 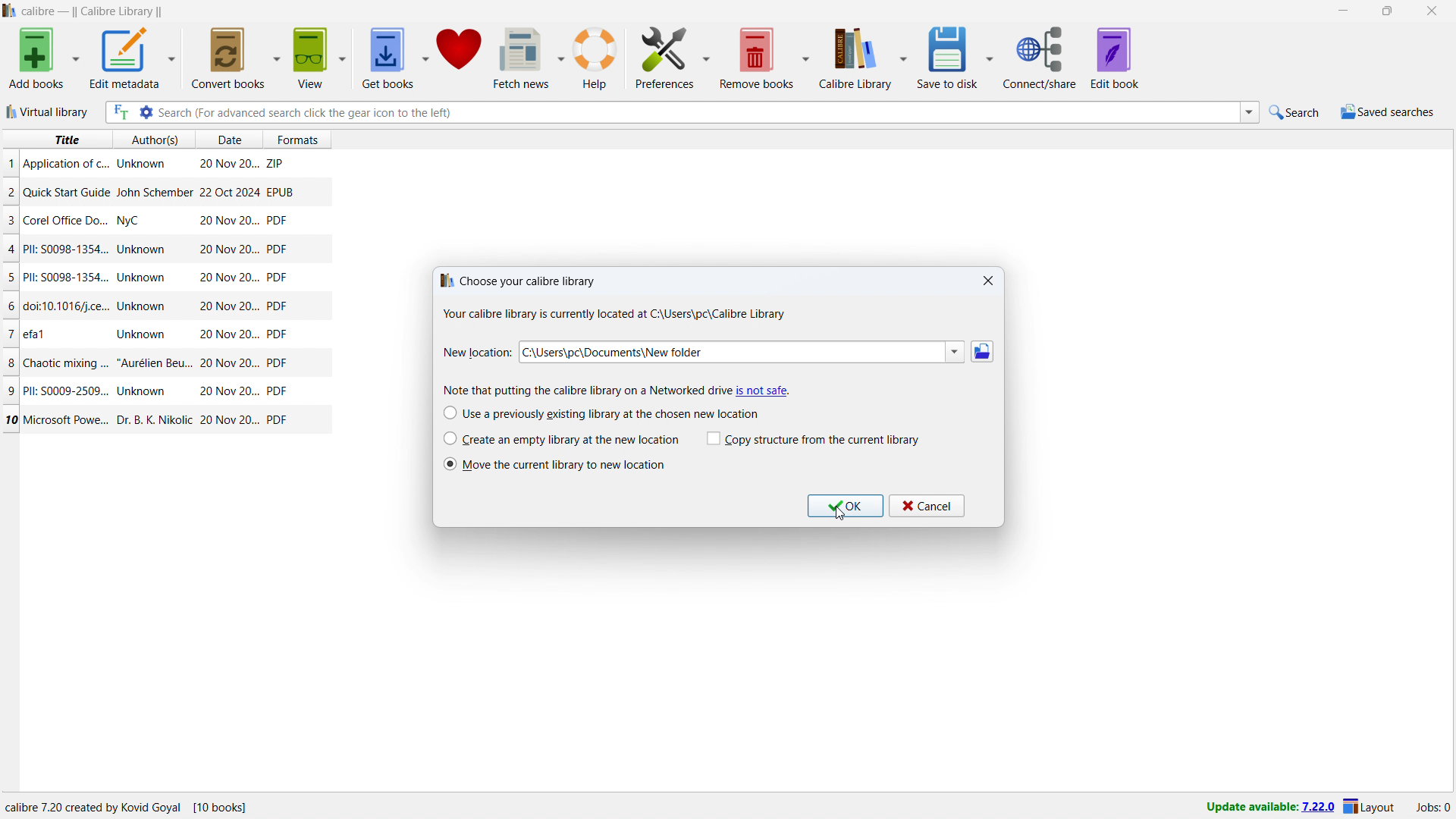 What do you see at coordinates (12, 306) in the screenshot?
I see `6` at bounding box center [12, 306].